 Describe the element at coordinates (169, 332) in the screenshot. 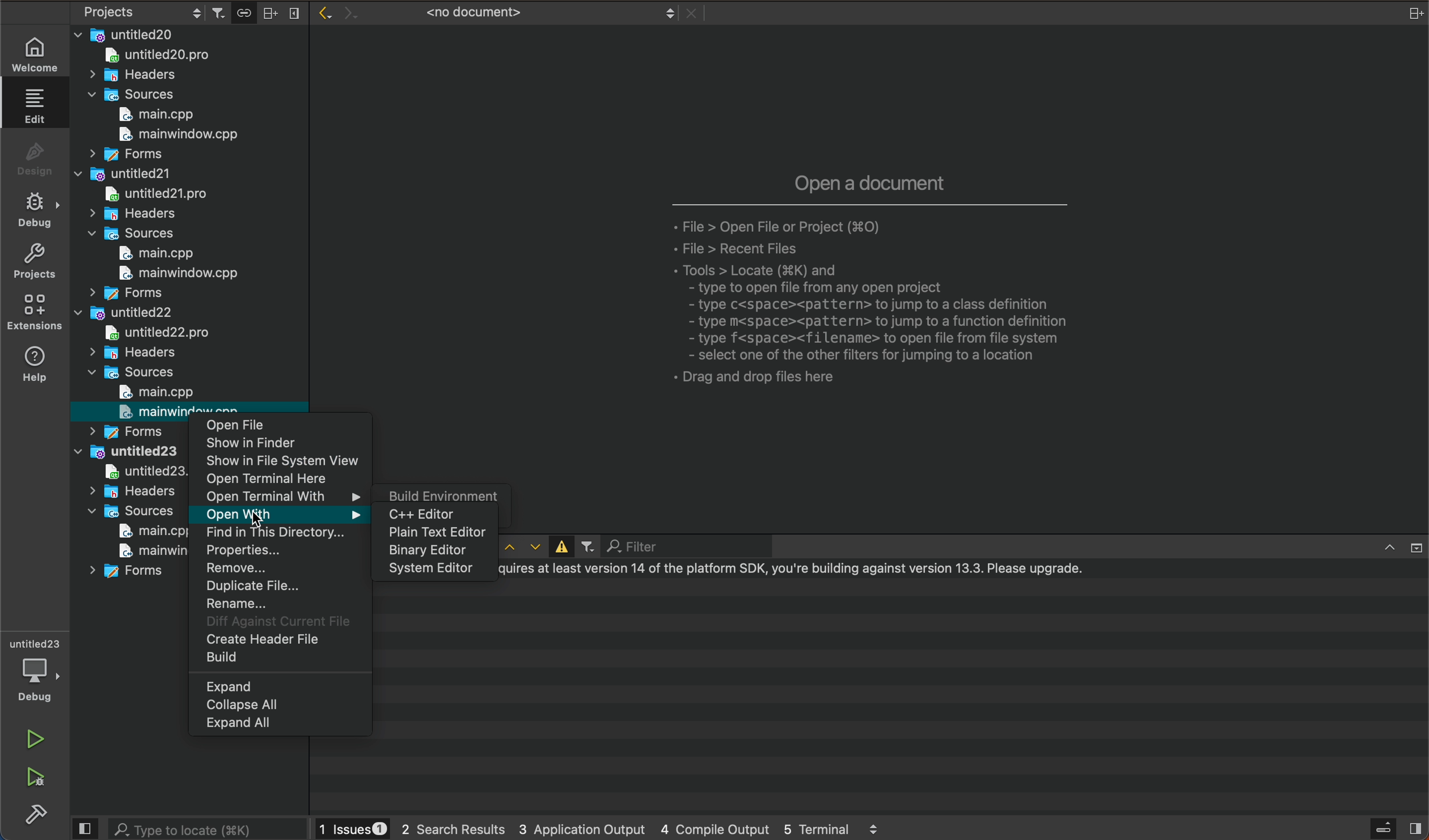

I see `untitled22pro` at that location.